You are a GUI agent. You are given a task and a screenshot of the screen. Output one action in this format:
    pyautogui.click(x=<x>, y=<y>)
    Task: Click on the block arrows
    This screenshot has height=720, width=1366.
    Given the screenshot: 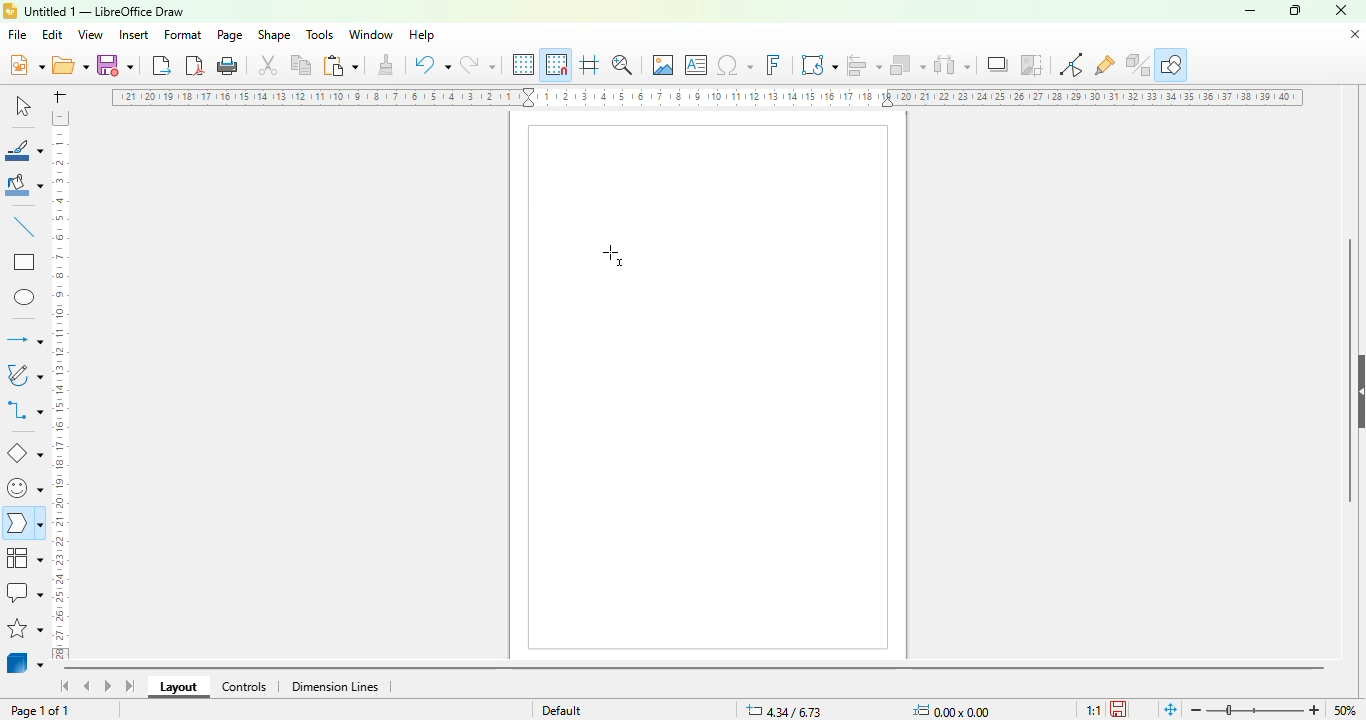 What is the action you would take?
    pyautogui.click(x=23, y=525)
    